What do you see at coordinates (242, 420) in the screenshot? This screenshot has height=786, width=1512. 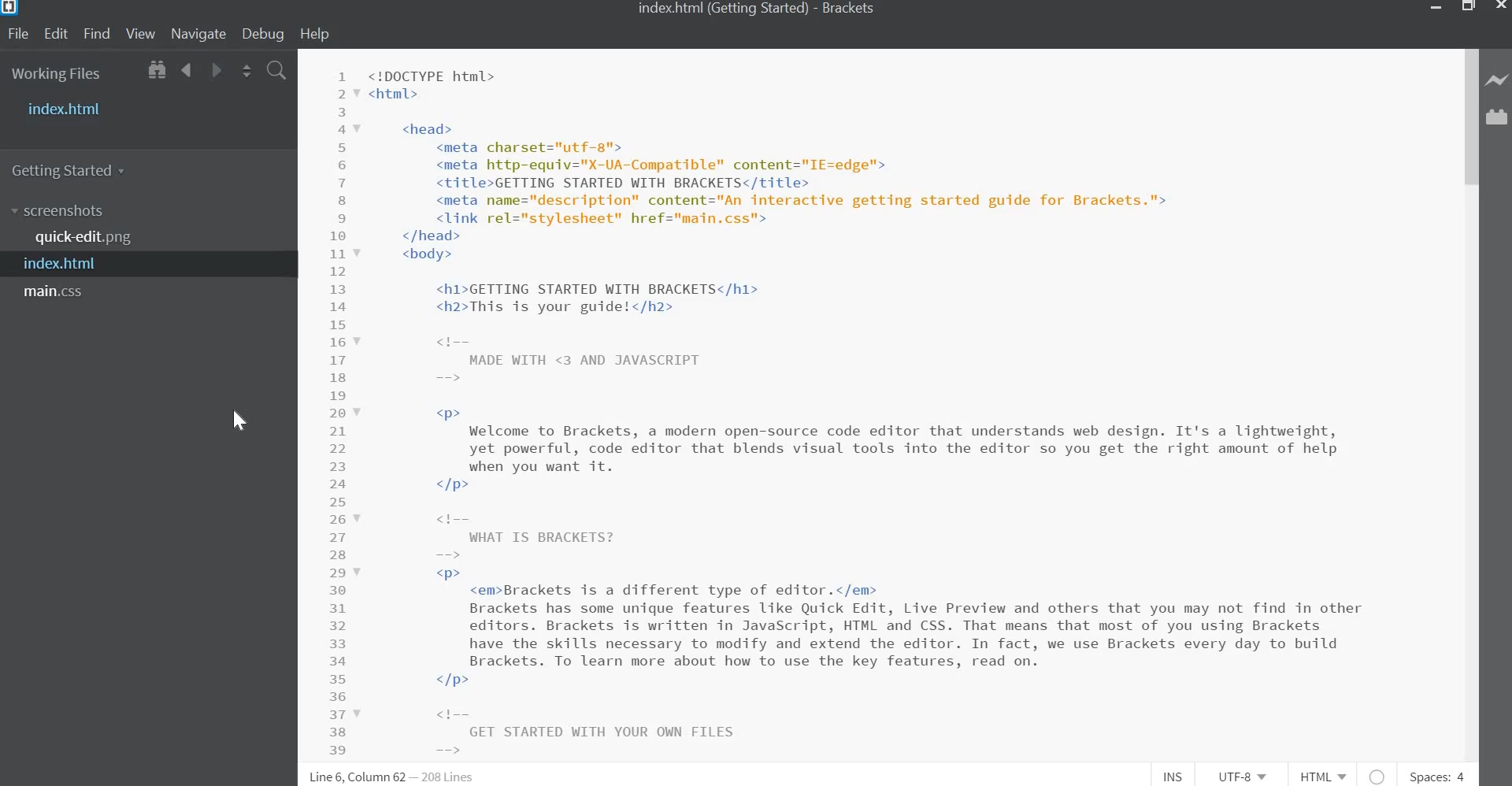 I see `cursor` at bounding box center [242, 420].